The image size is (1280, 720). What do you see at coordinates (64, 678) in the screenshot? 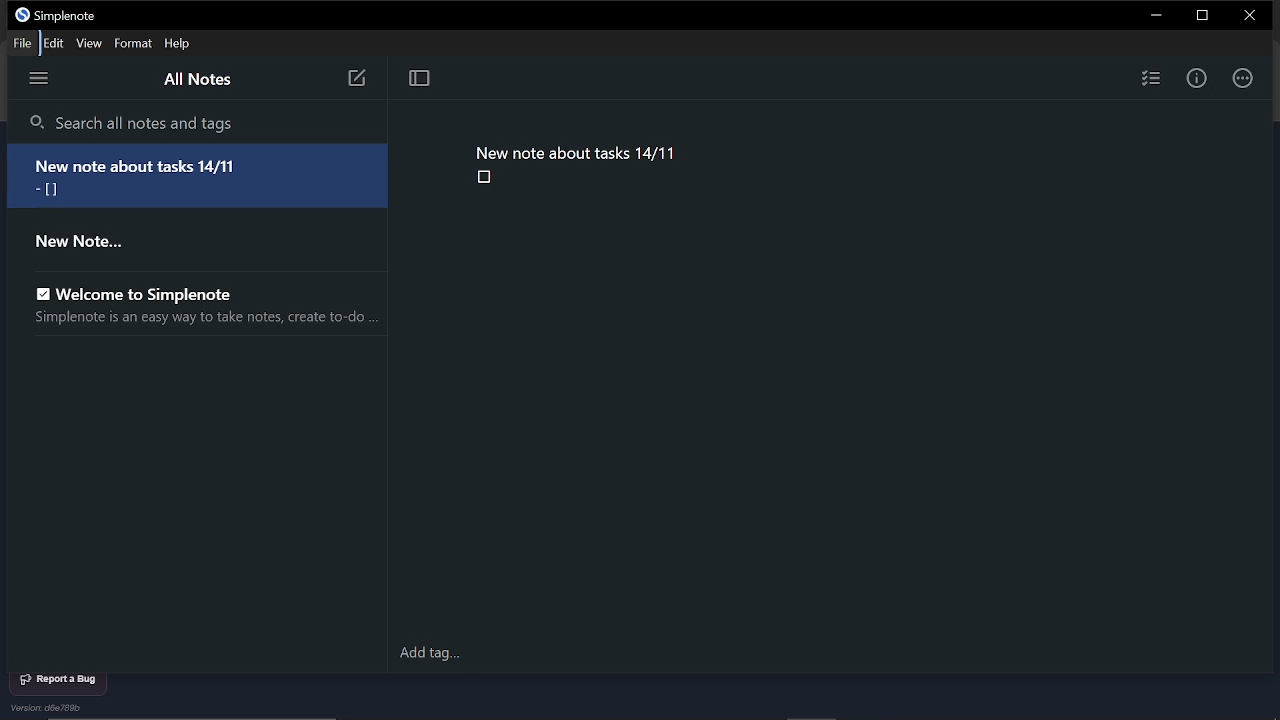
I see `Report a bug` at bounding box center [64, 678].